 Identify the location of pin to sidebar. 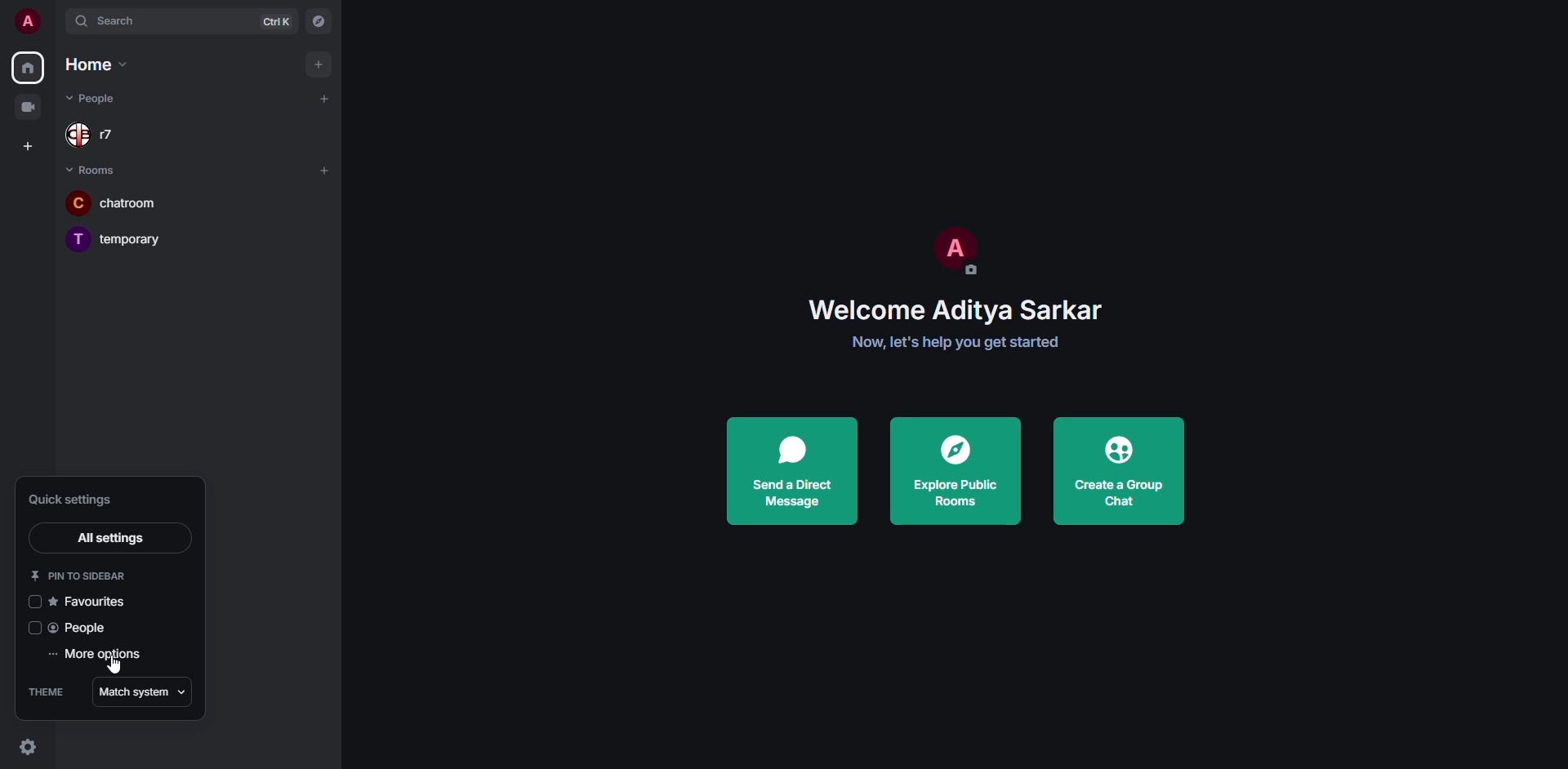
(78, 575).